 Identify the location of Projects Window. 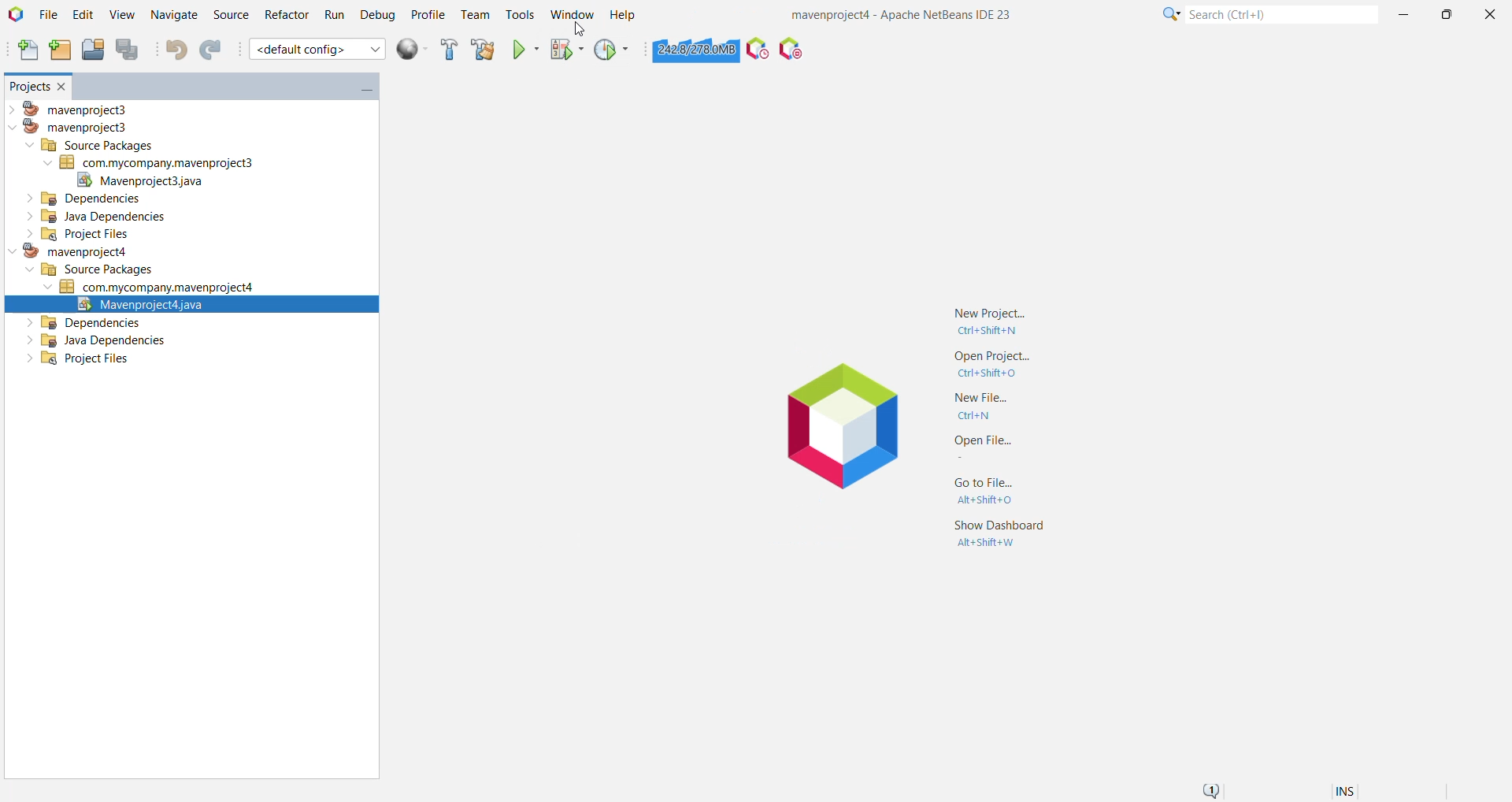
(25, 85).